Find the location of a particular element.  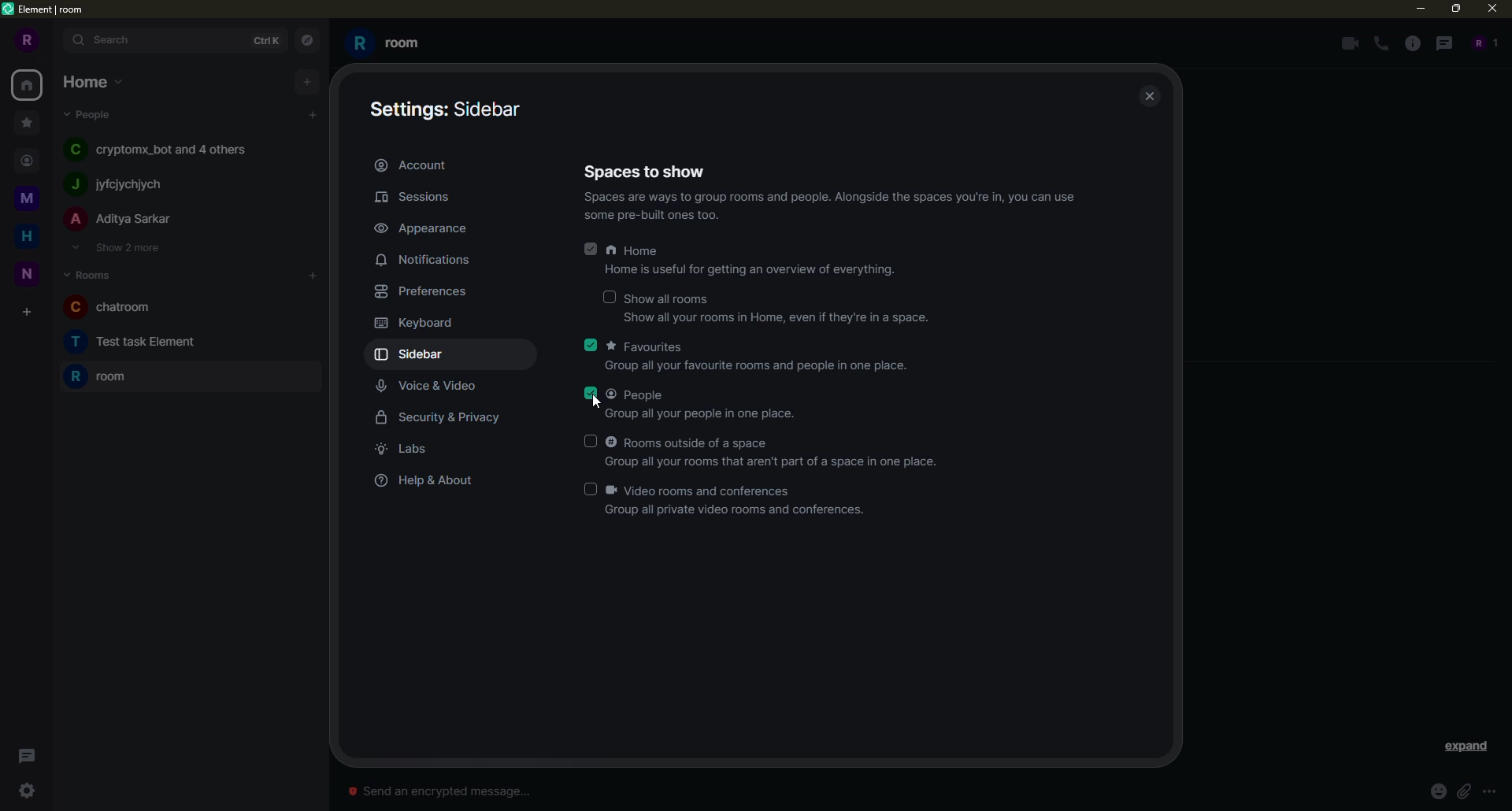

video rooms is located at coordinates (705, 490).